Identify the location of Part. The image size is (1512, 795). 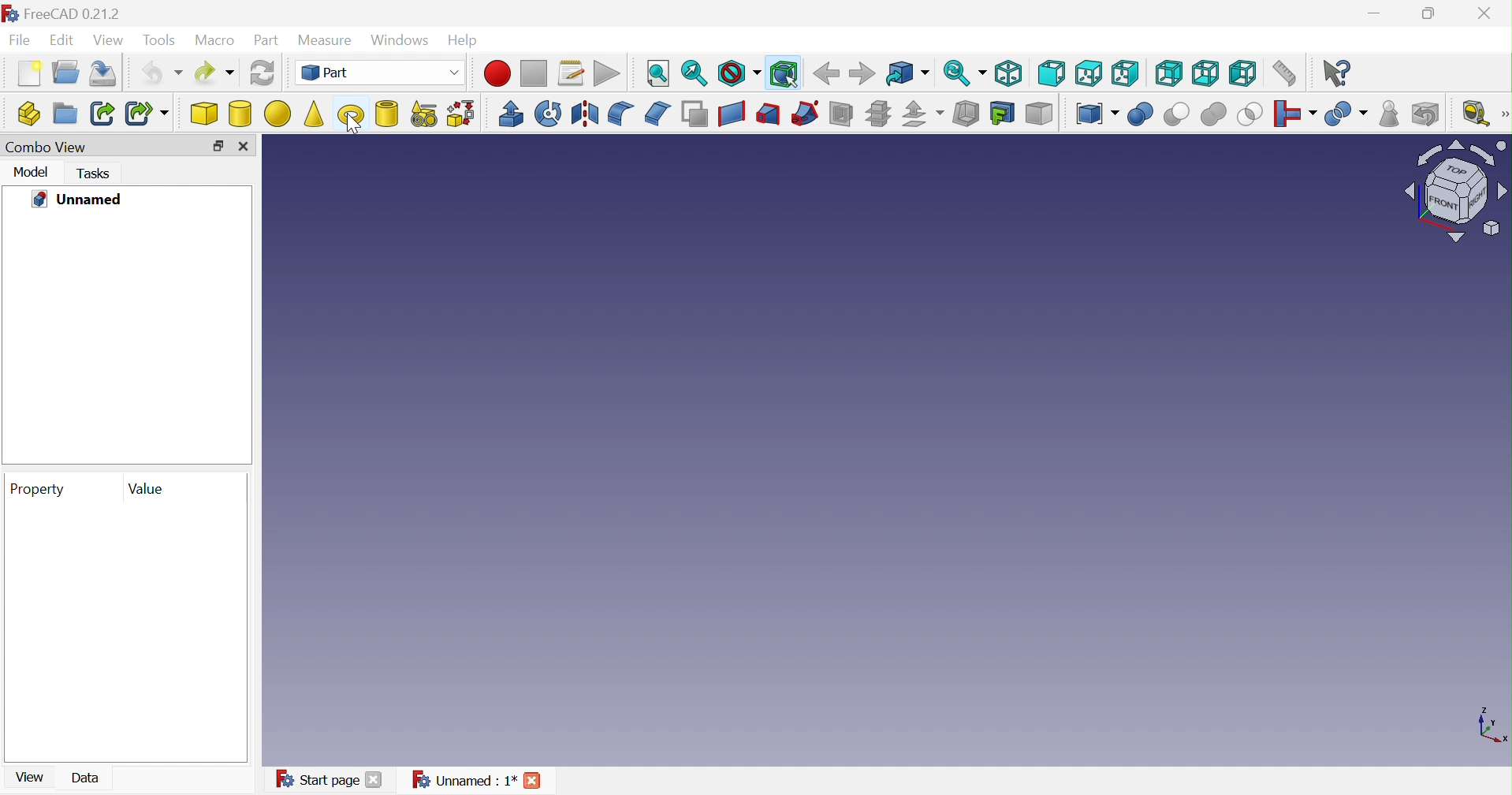
(264, 42).